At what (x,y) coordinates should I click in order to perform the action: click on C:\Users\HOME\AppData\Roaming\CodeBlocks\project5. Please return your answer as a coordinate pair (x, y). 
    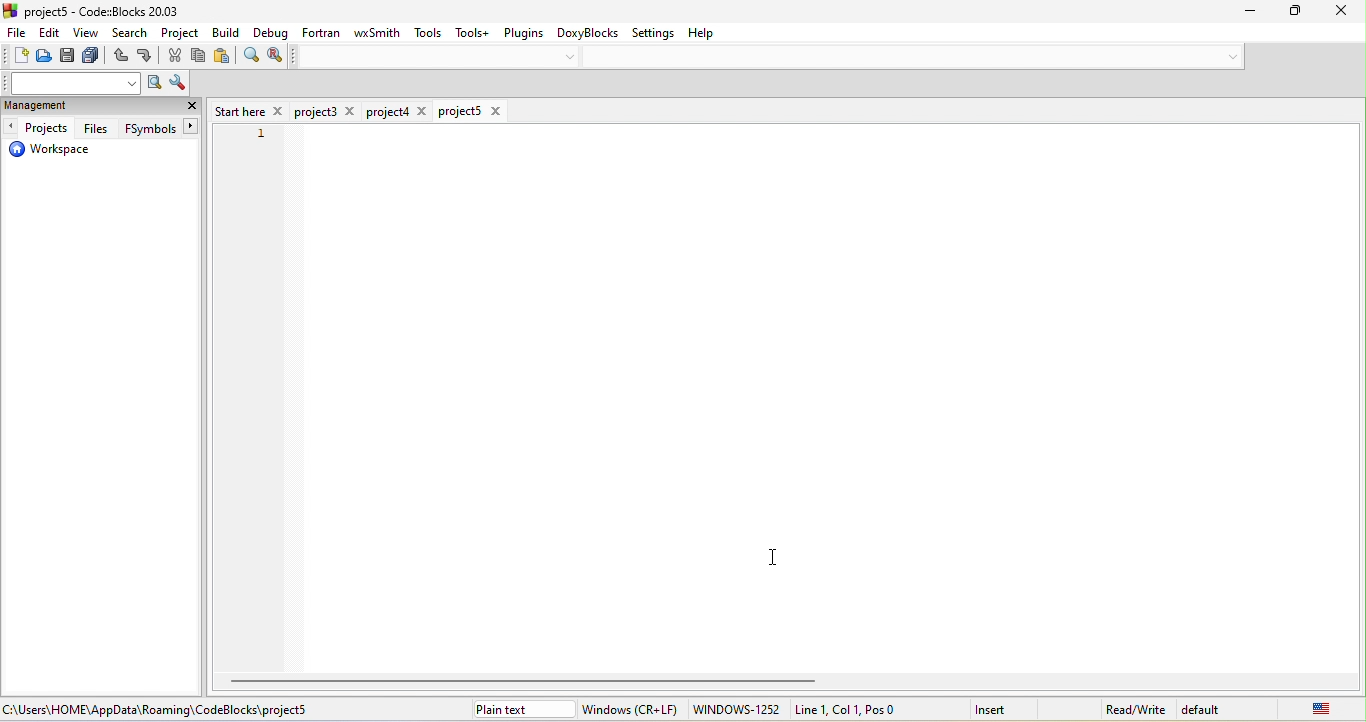
    Looking at the image, I should click on (161, 711).